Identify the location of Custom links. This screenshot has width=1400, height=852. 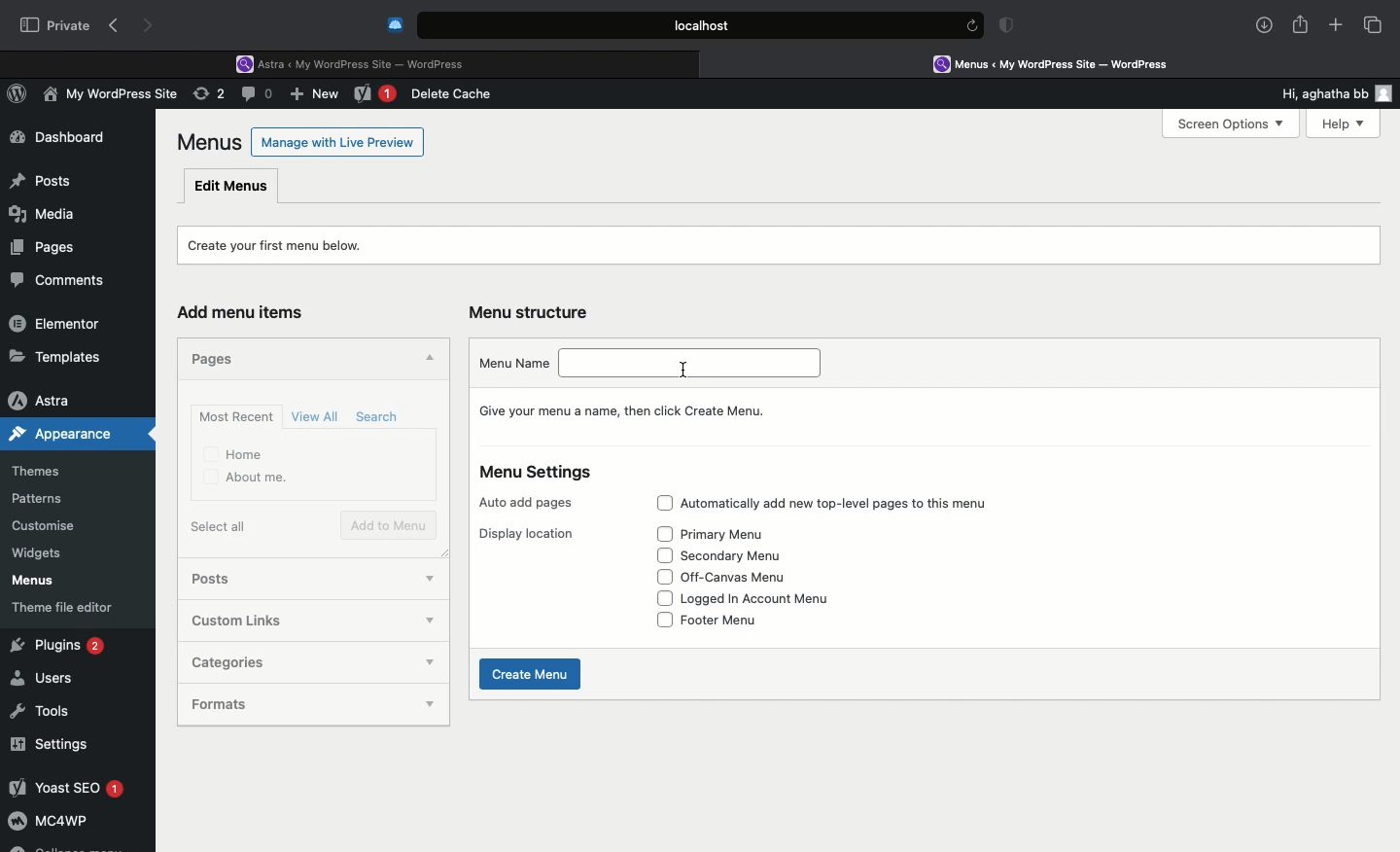
(241, 621).